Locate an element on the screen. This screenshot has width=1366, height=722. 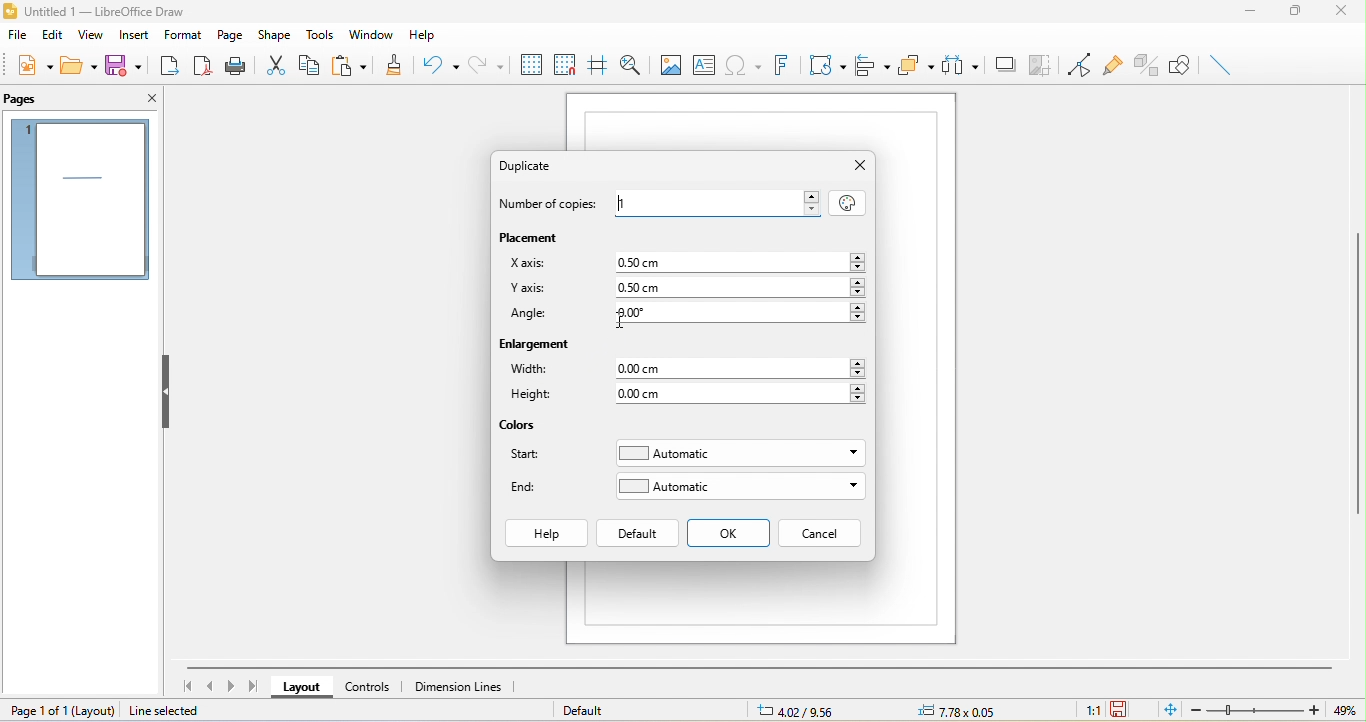
undo is located at coordinates (441, 67).